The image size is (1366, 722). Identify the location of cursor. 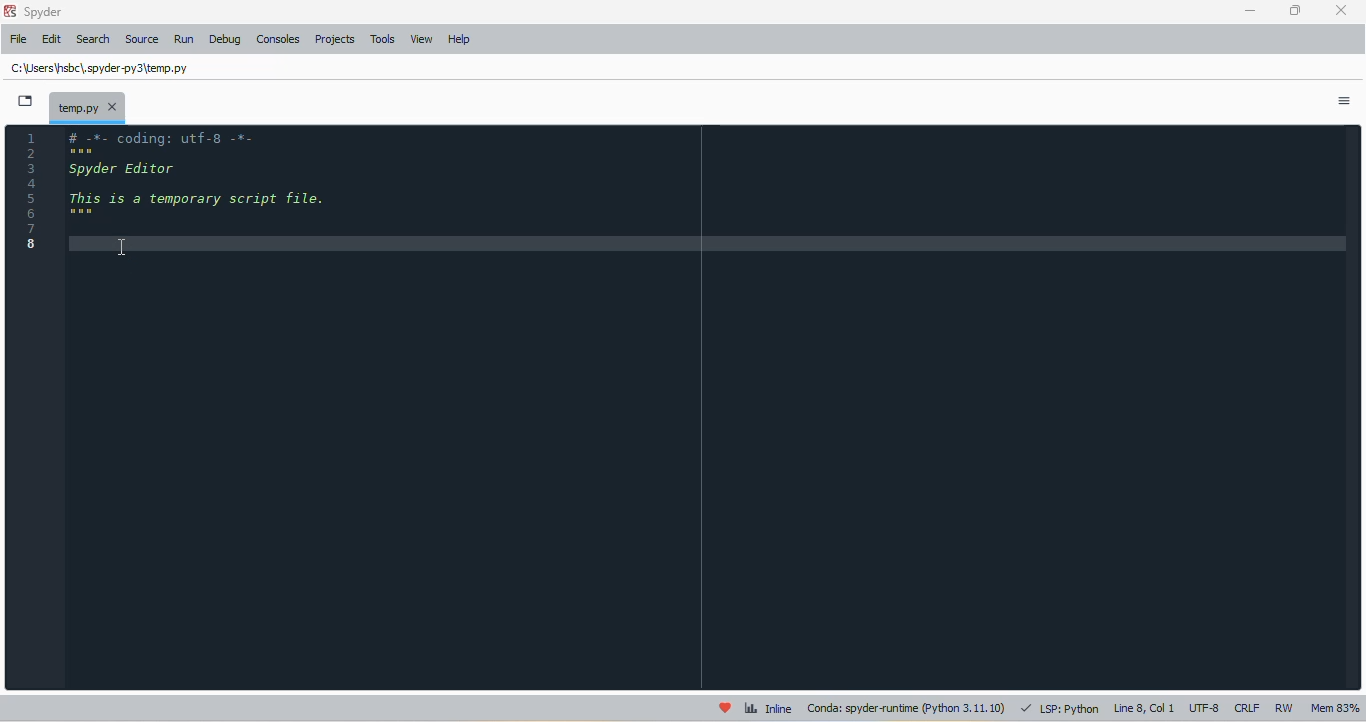
(122, 248).